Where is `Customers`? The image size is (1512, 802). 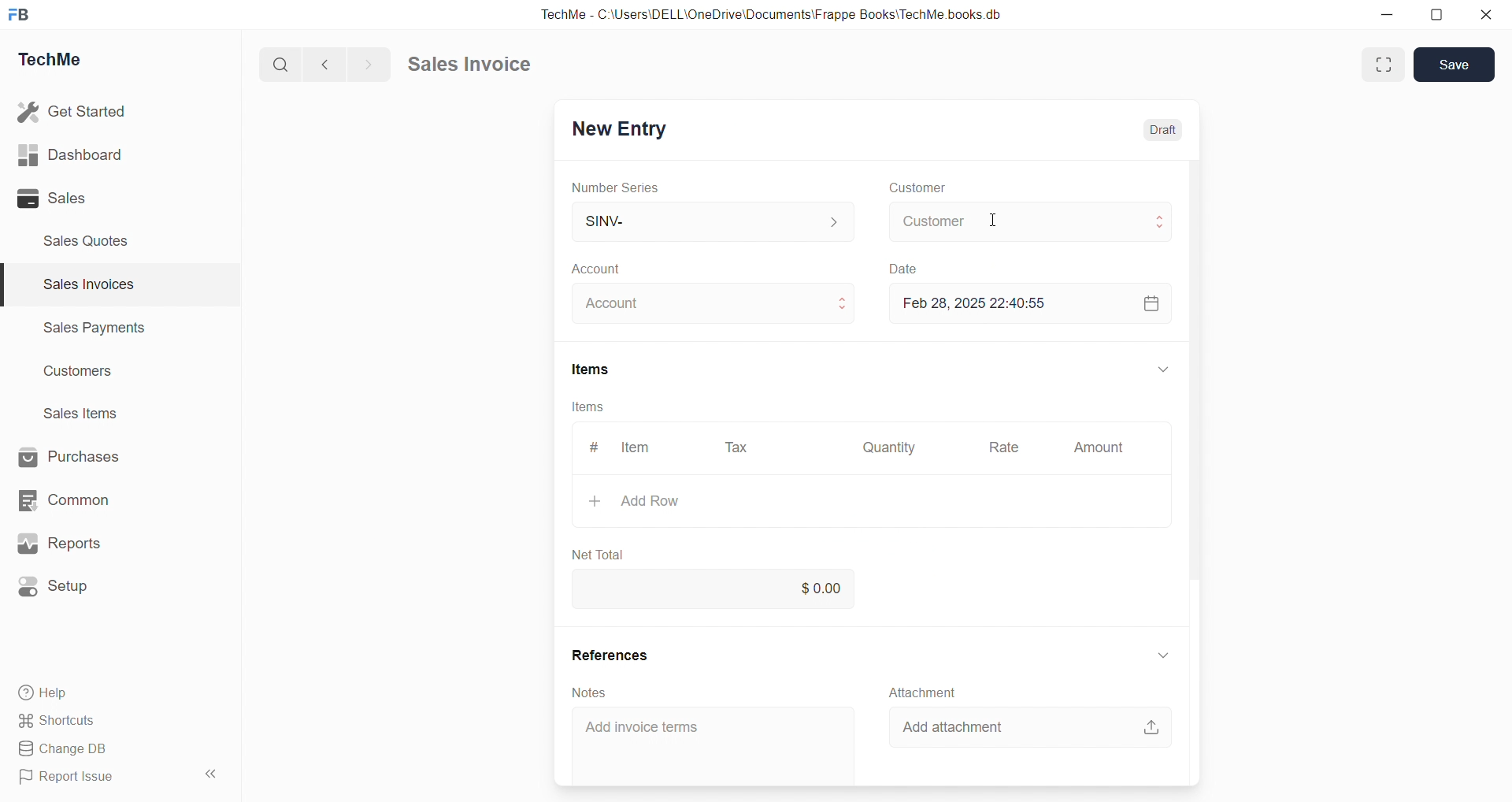
Customers is located at coordinates (80, 373).